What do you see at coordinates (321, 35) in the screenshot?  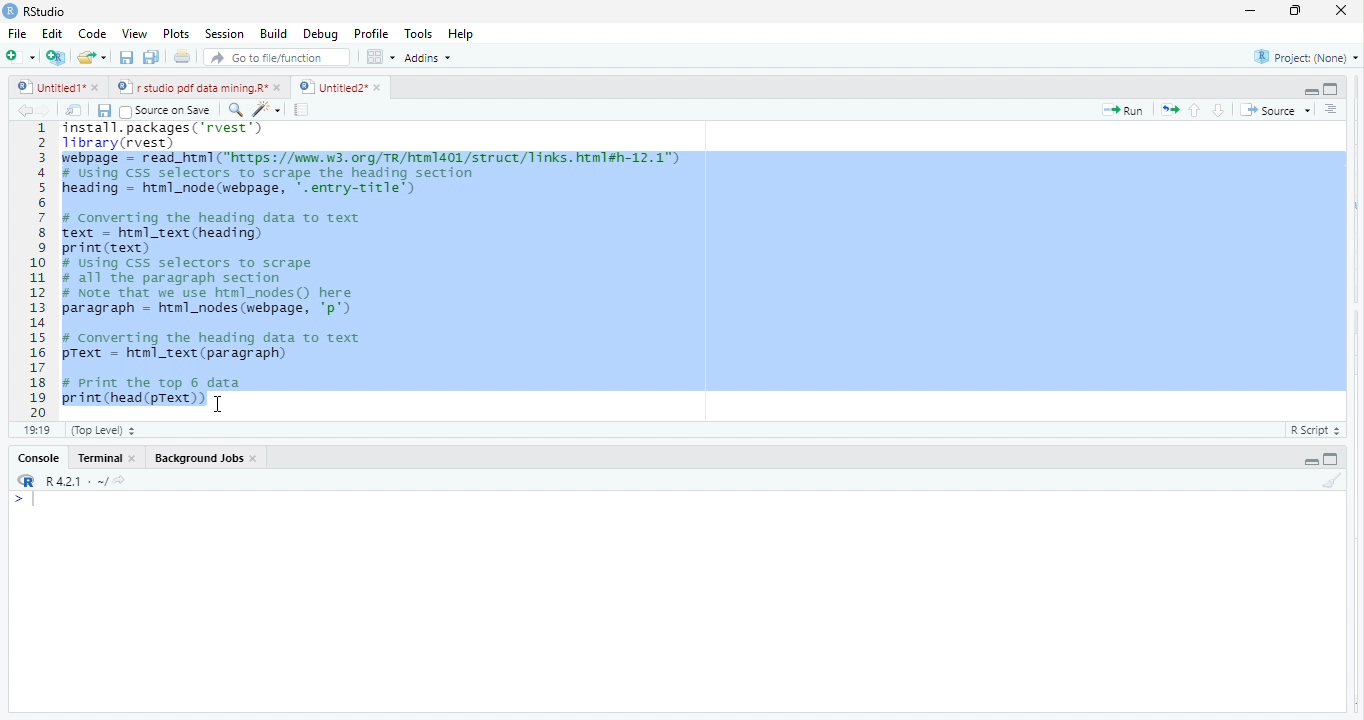 I see `Debug` at bounding box center [321, 35].